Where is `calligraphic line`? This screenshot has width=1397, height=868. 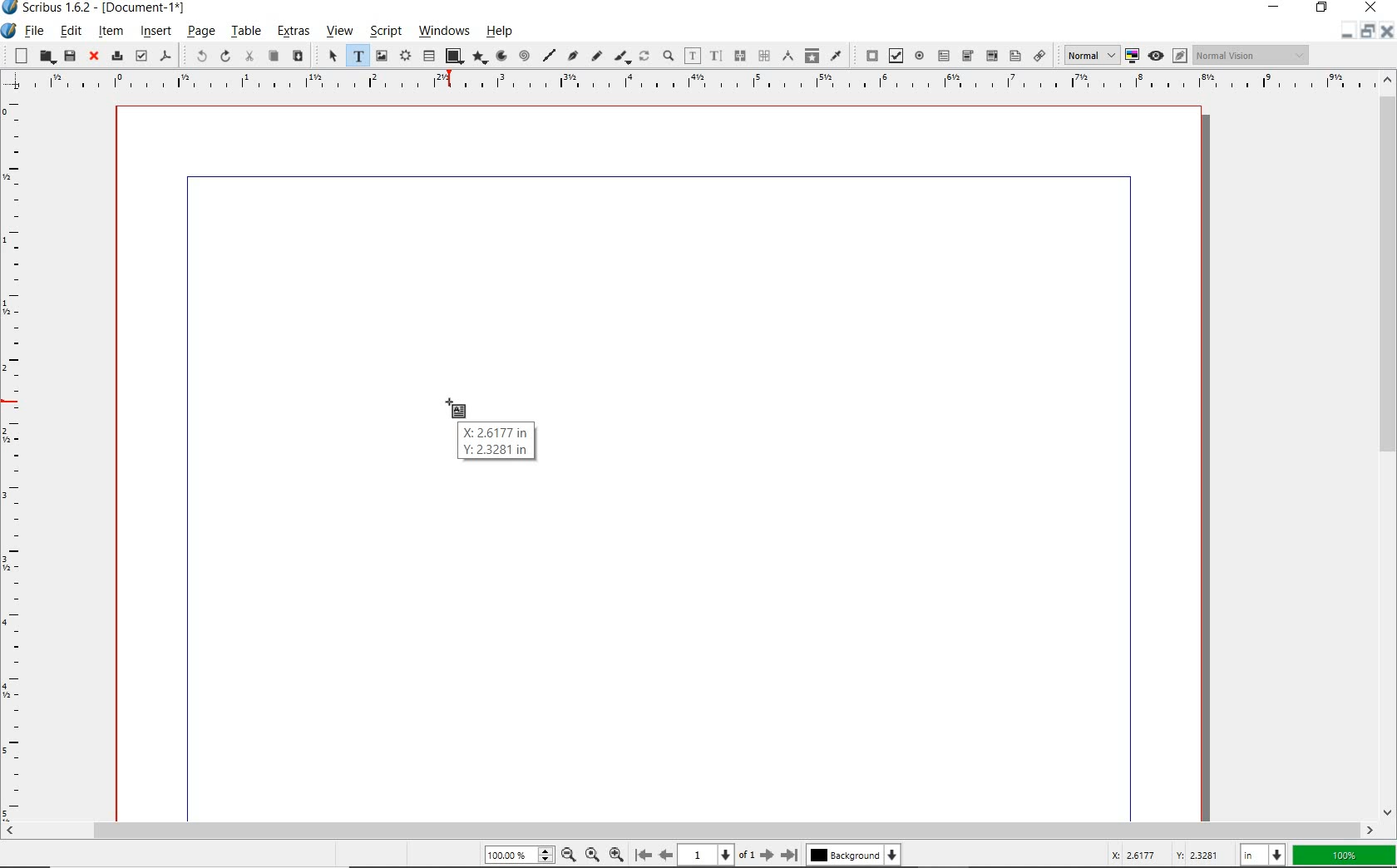
calligraphic line is located at coordinates (623, 57).